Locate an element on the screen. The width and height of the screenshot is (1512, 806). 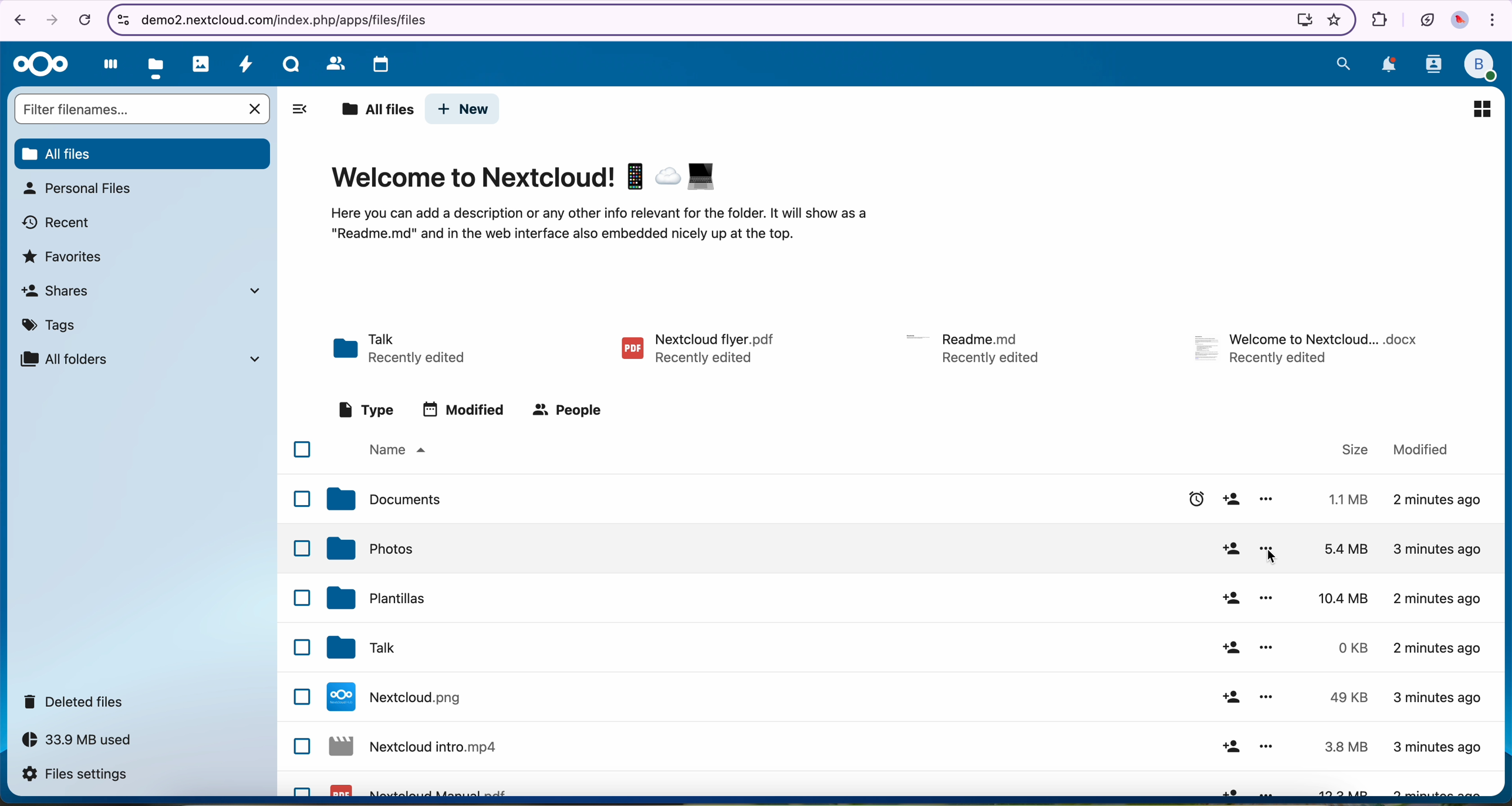
customize and control Google Chrome is located at coordinates (1494, 22).